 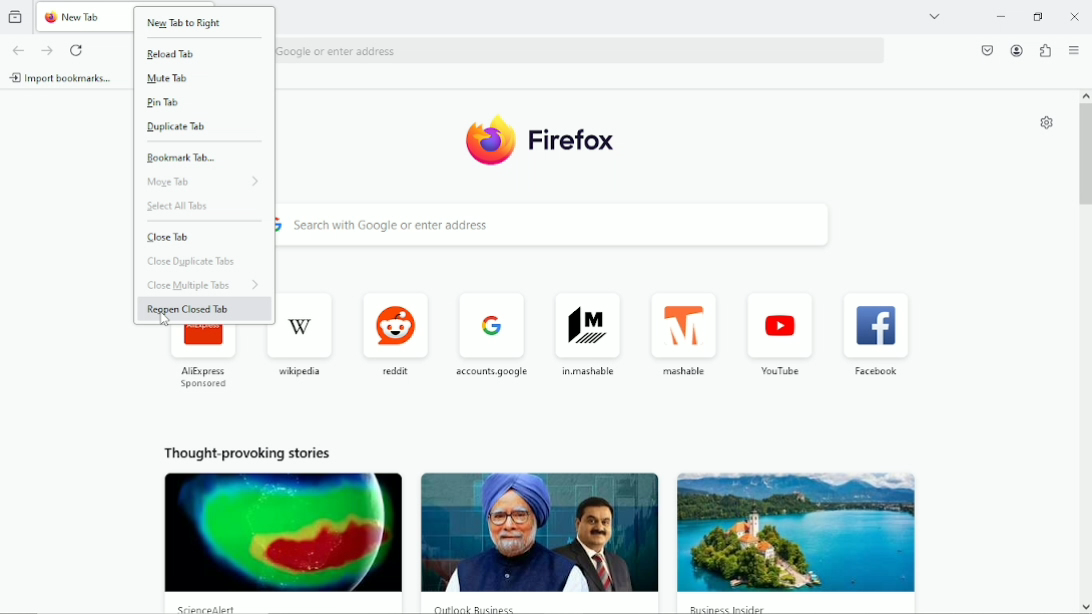 I want to click on go back, so click(x=19, y=49).